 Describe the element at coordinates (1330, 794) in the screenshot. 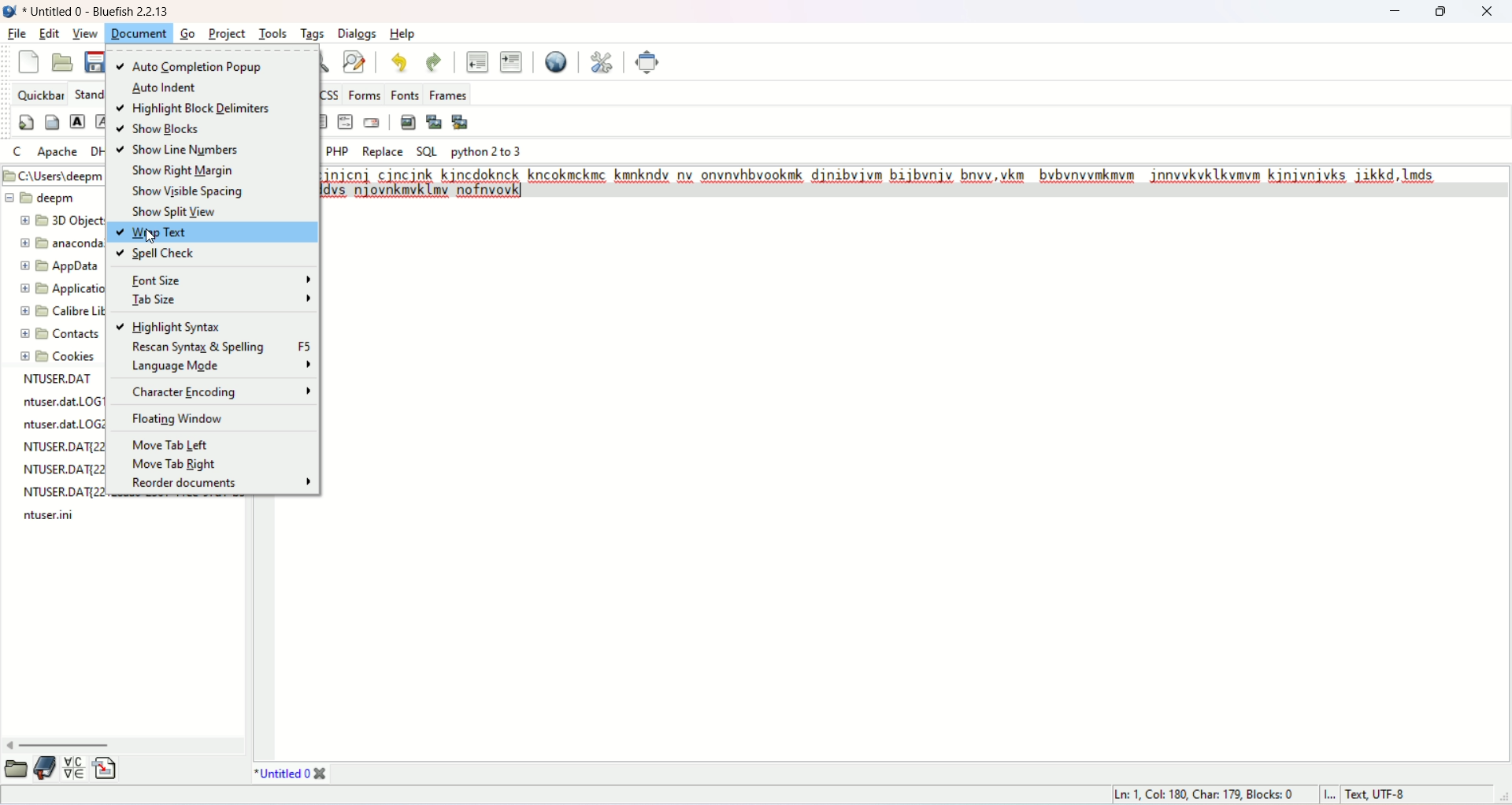

I see `I` at that location.